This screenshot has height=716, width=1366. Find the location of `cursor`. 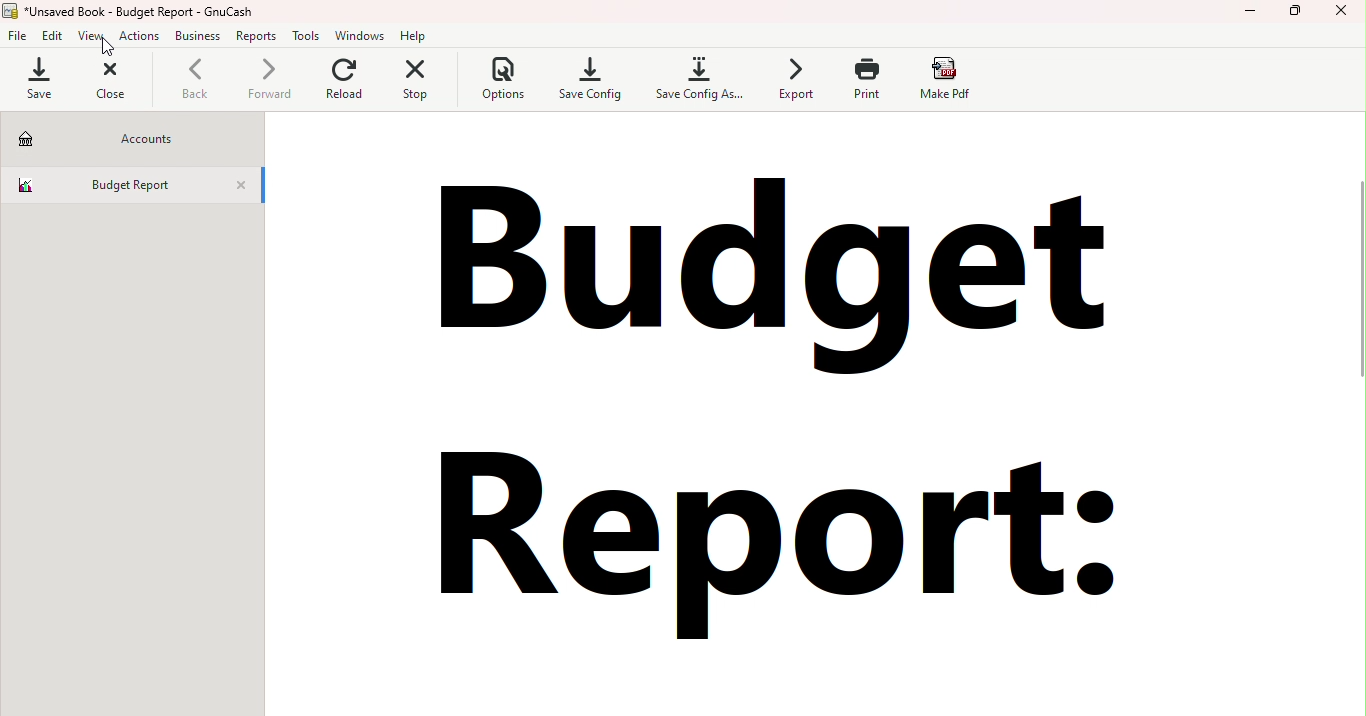

cursor is located at coordinates (108, 50).